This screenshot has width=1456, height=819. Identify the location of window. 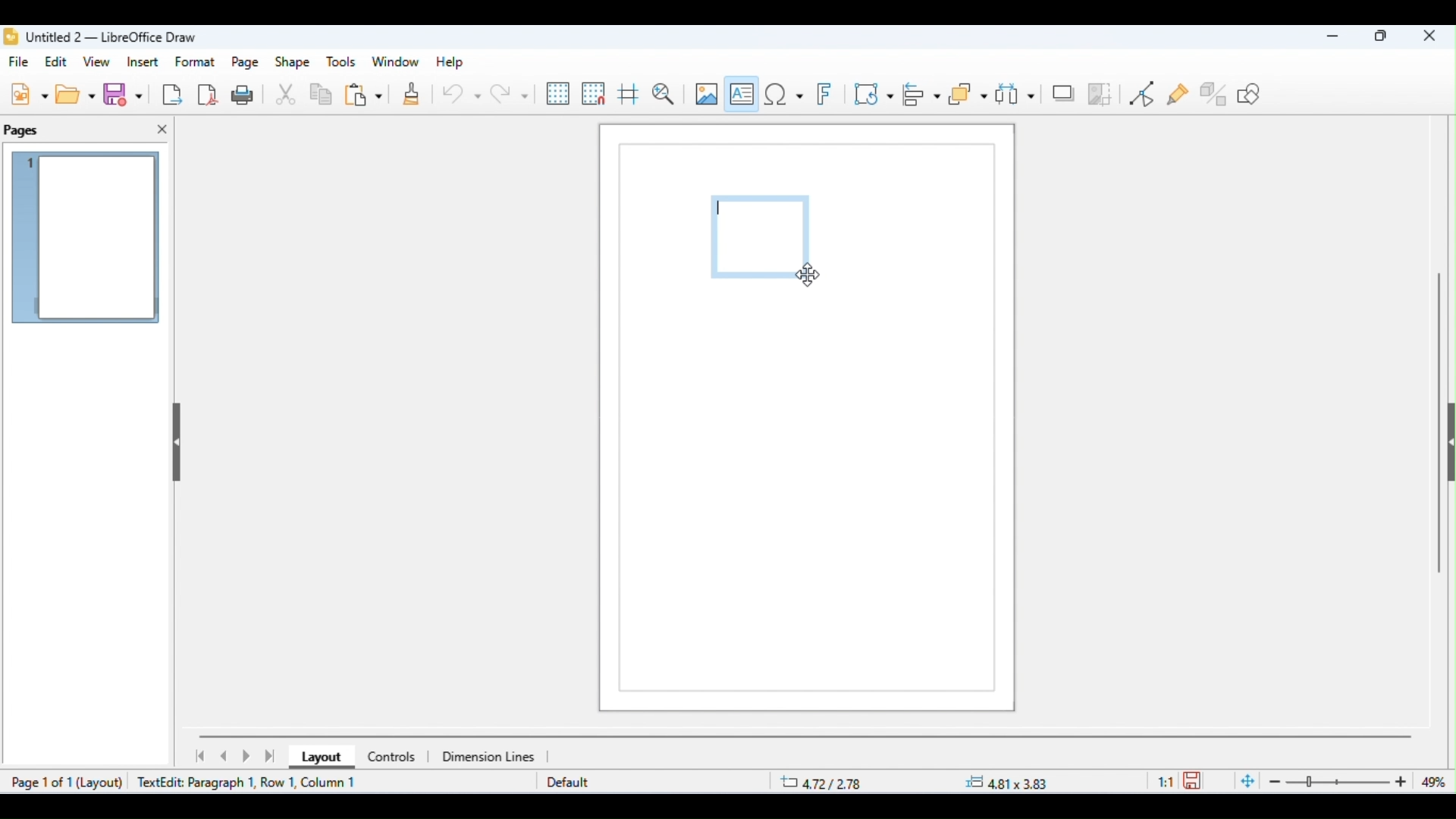
(396, 62).